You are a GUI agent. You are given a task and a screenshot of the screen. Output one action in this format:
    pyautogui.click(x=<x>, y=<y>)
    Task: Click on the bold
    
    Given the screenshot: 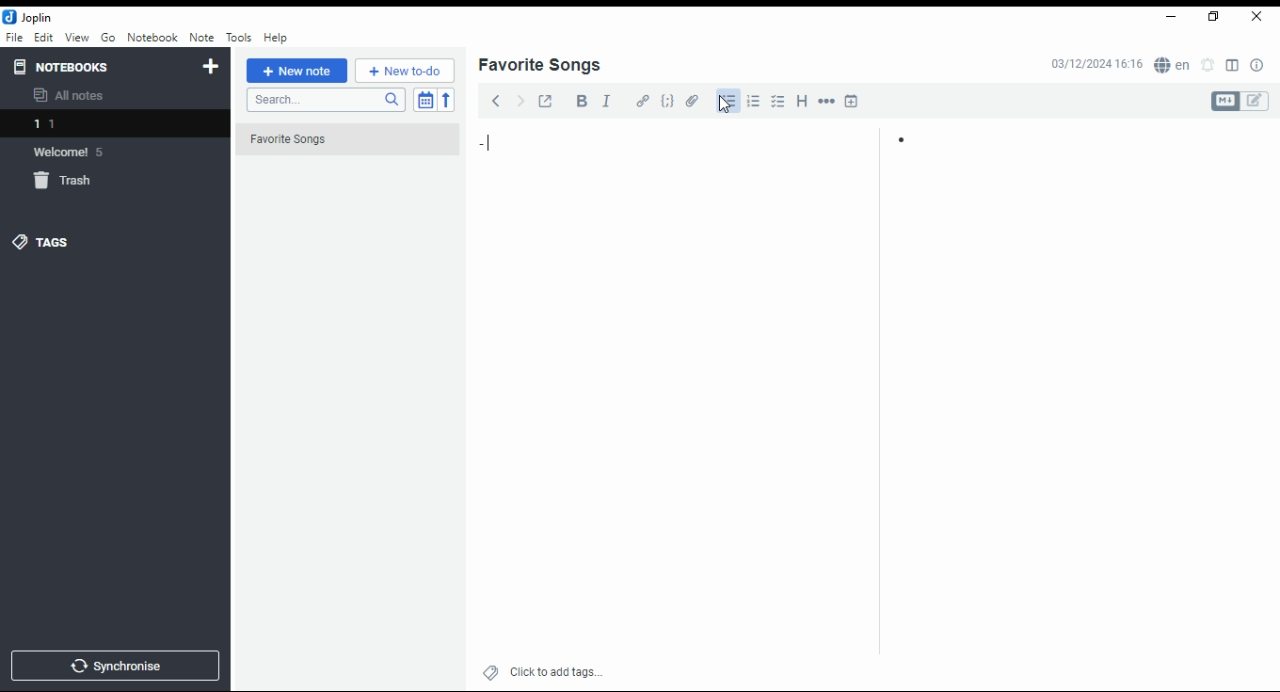 What is the action you would take?
    pyautogui.click(x=581, y=101)
    